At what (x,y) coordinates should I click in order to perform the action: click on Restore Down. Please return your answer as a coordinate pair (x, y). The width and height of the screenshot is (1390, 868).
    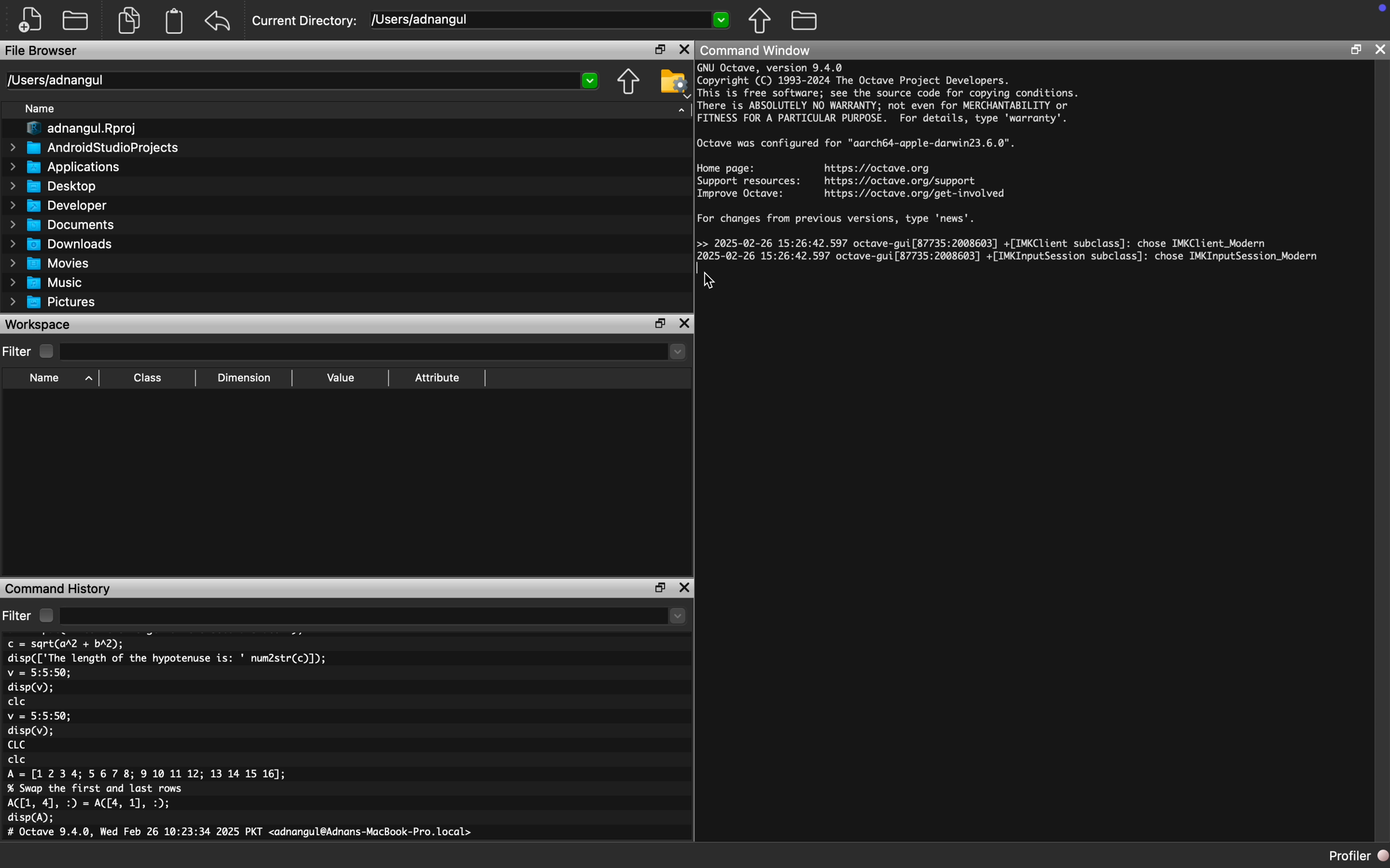
    Looking at the image, I should click on (660, 49).